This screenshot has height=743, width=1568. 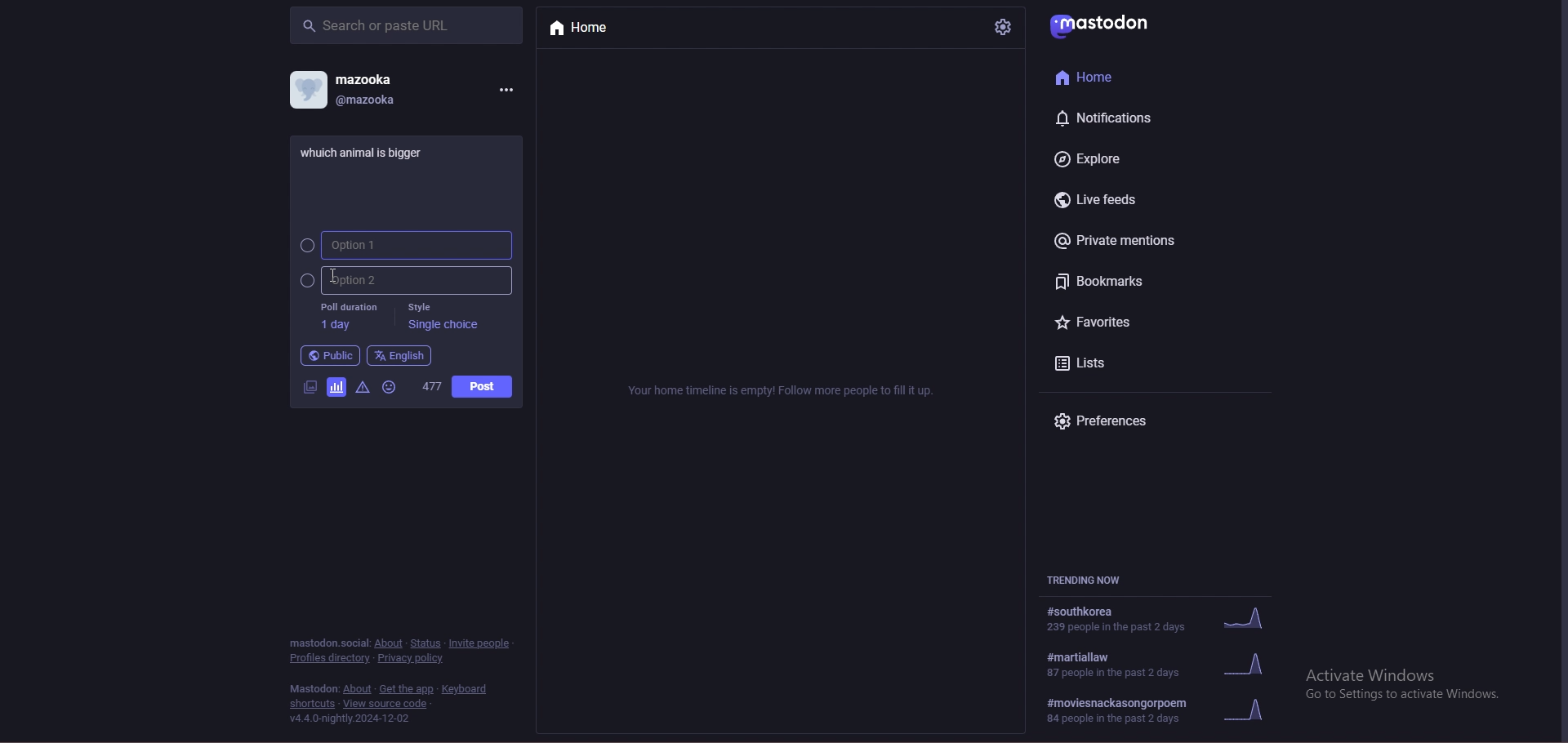 What do you see at coordinates (1001, 27) in the screenshot?
I see `settings` at bounding box center [1001, 27].